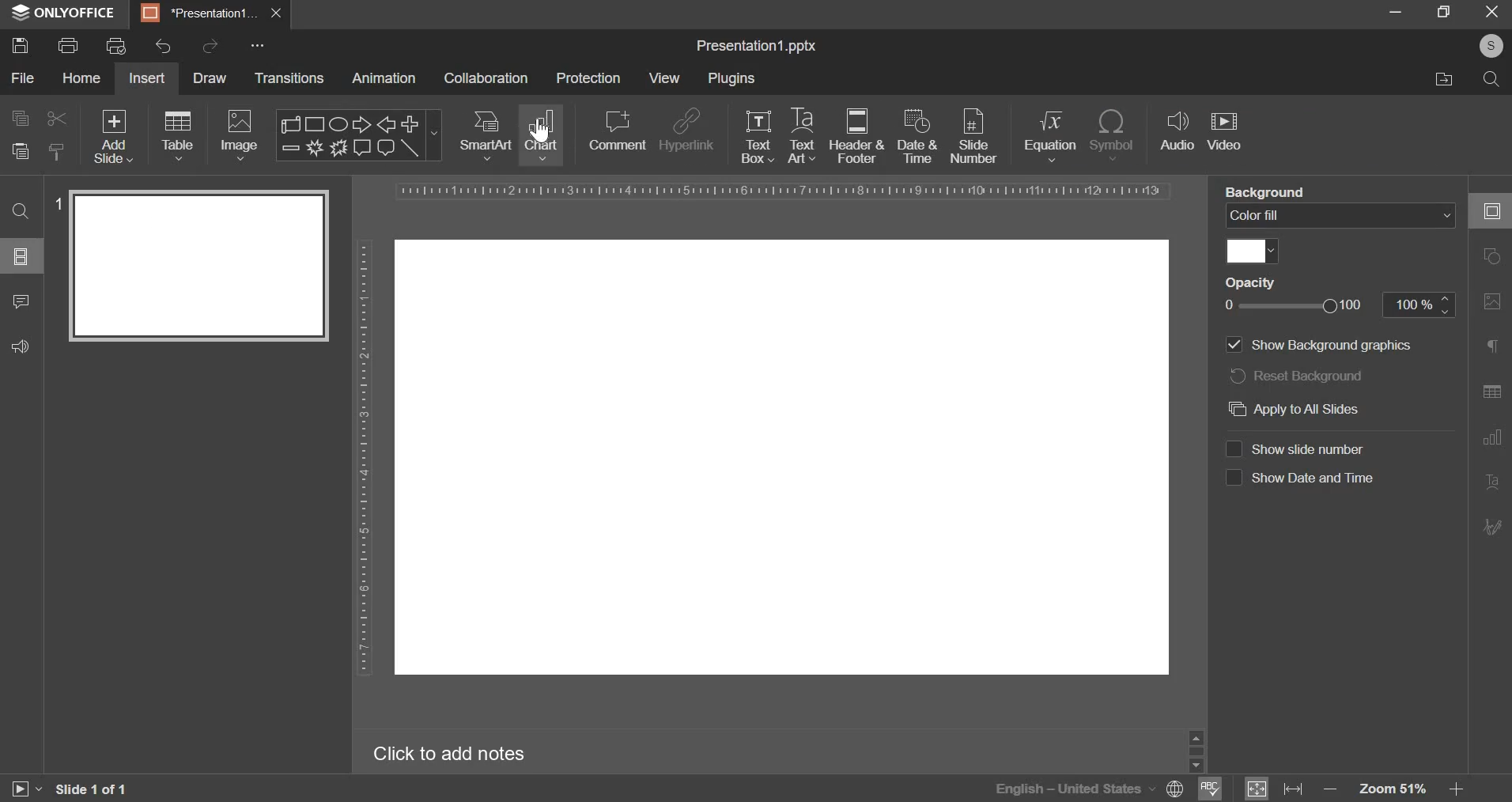 This screenshot has height=802, width=1512. Describe the element at coordinates (1250, 251) in the screenshot. I see `color fill` at that location.